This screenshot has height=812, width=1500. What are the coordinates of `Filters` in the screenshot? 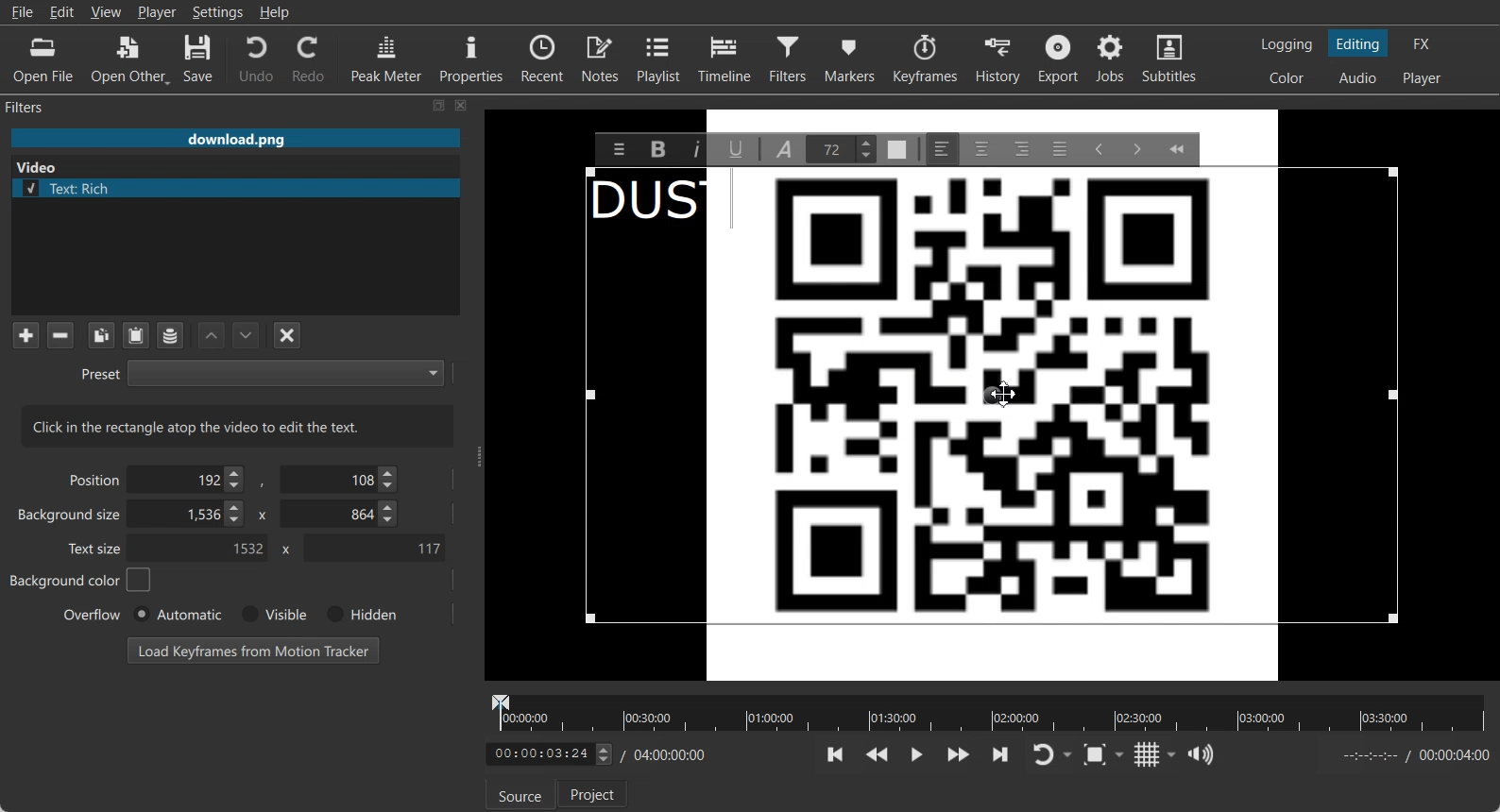 It's located at (43, 106).